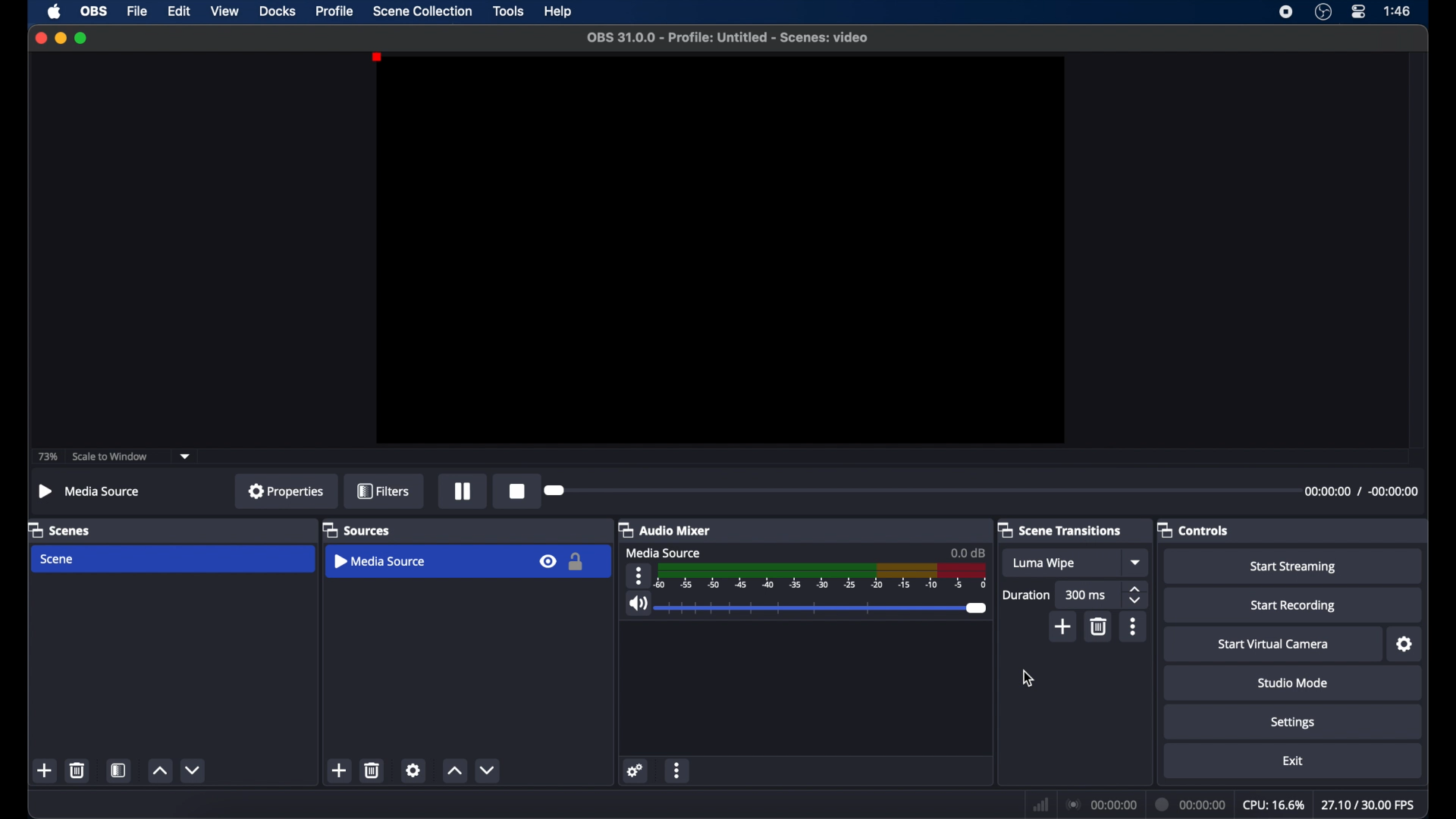 The height and width of the screenshot is (819, 1456). Describe the element at coordinates (1137, 562) in the screenshot. I see `dropdown` at that location.